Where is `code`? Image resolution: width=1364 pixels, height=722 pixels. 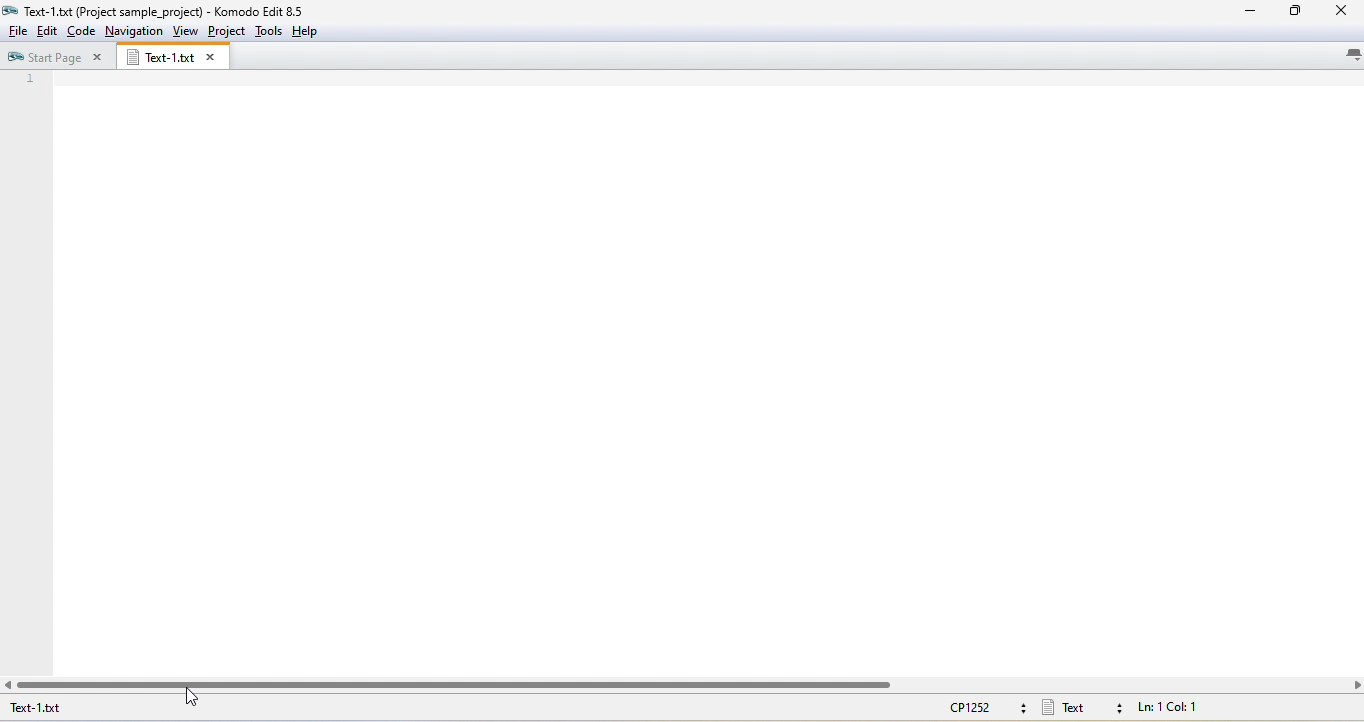 code is located at coordinates (82, 31).